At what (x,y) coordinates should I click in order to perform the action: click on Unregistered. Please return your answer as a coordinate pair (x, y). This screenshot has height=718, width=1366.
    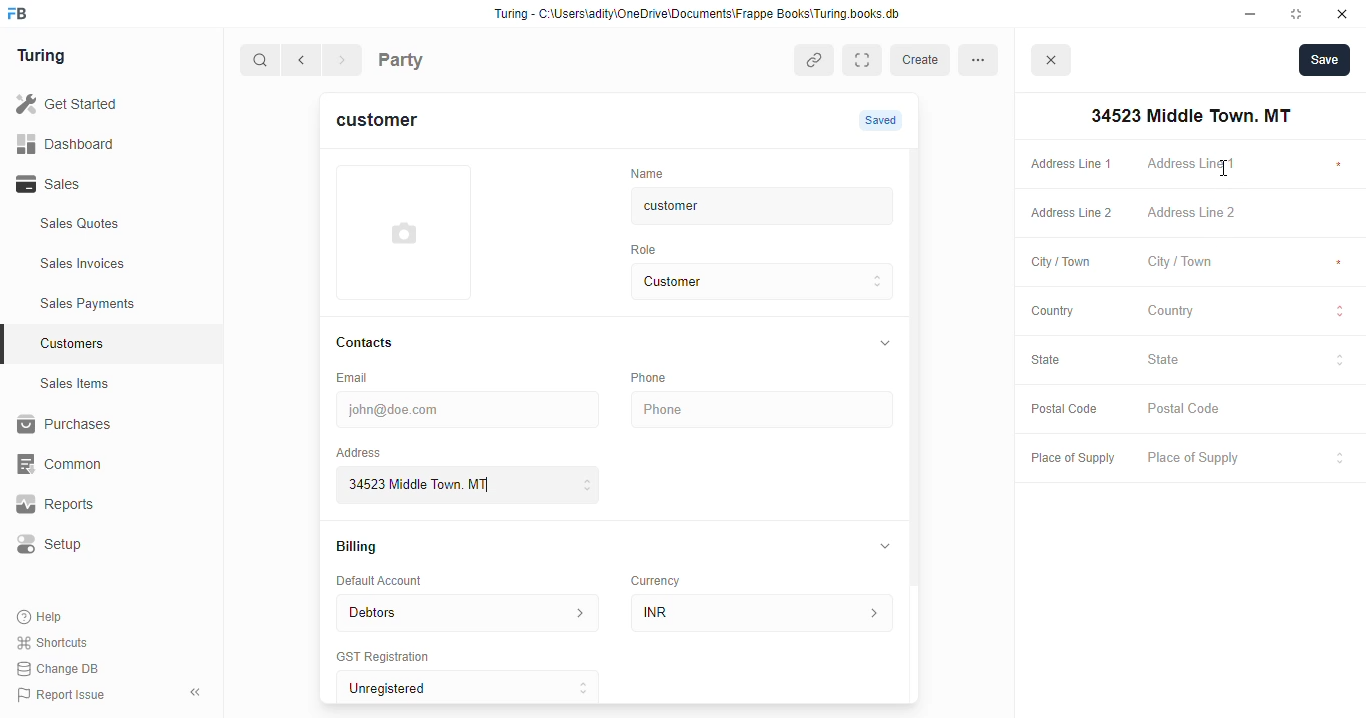
    Looking at the image, I should click on (477, 688).